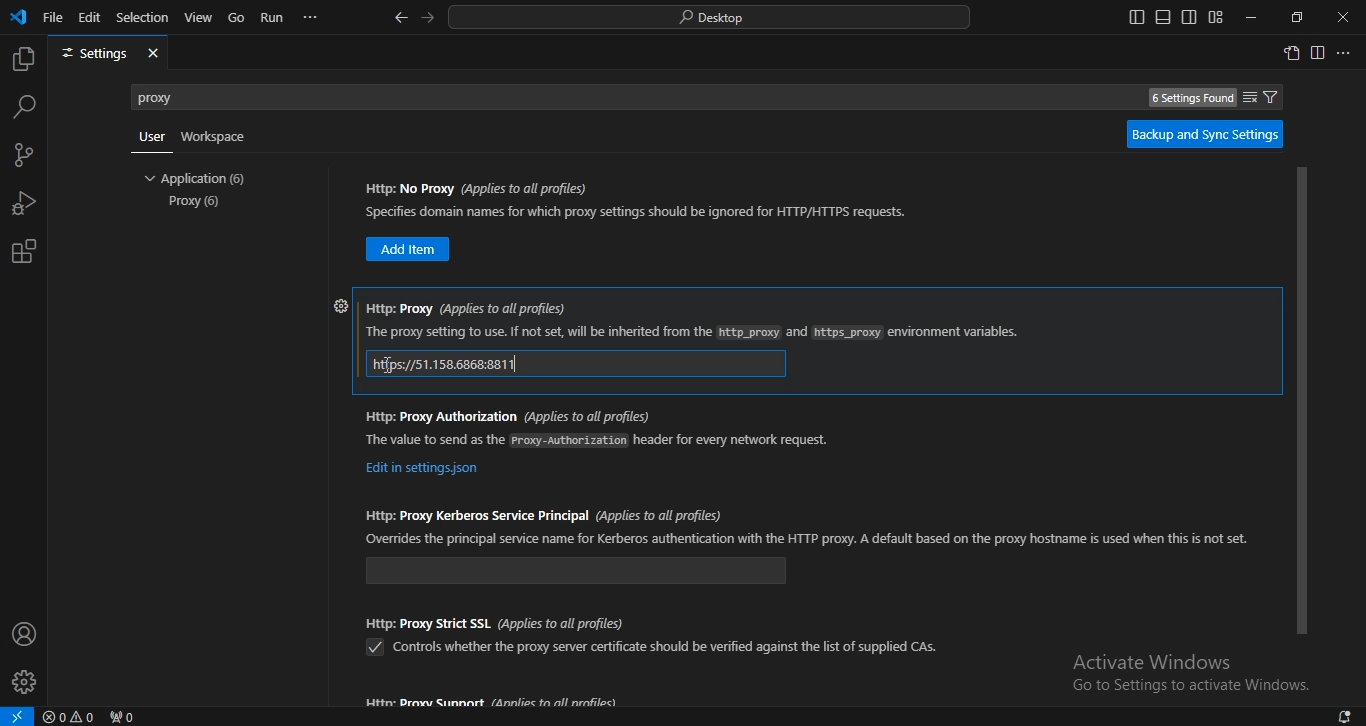  Describe the element at coordinates (1317, 53) in the screenshot. I see `split editor right` at that location.